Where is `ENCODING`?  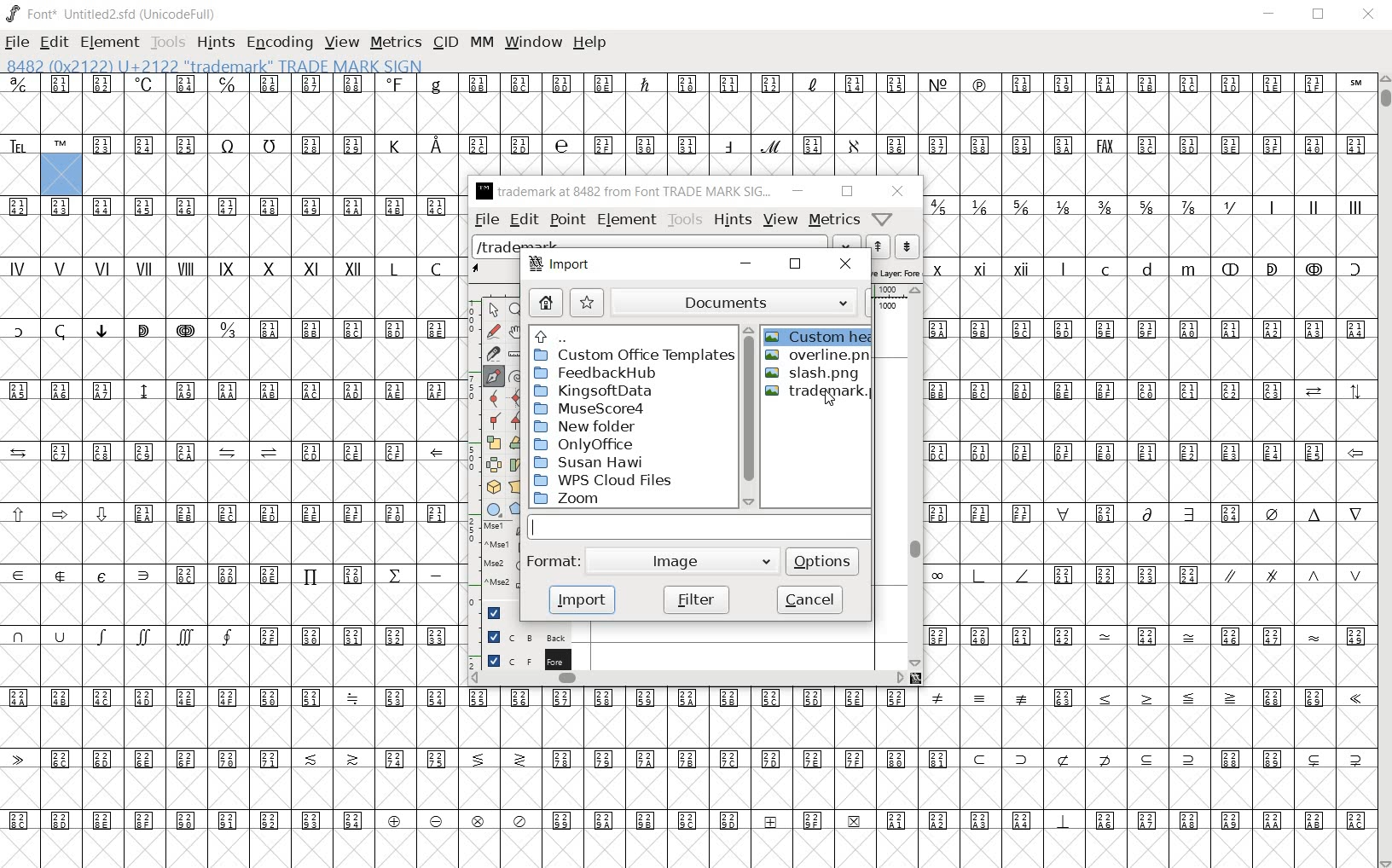
ENCODING is located at coordinates (280, 43).